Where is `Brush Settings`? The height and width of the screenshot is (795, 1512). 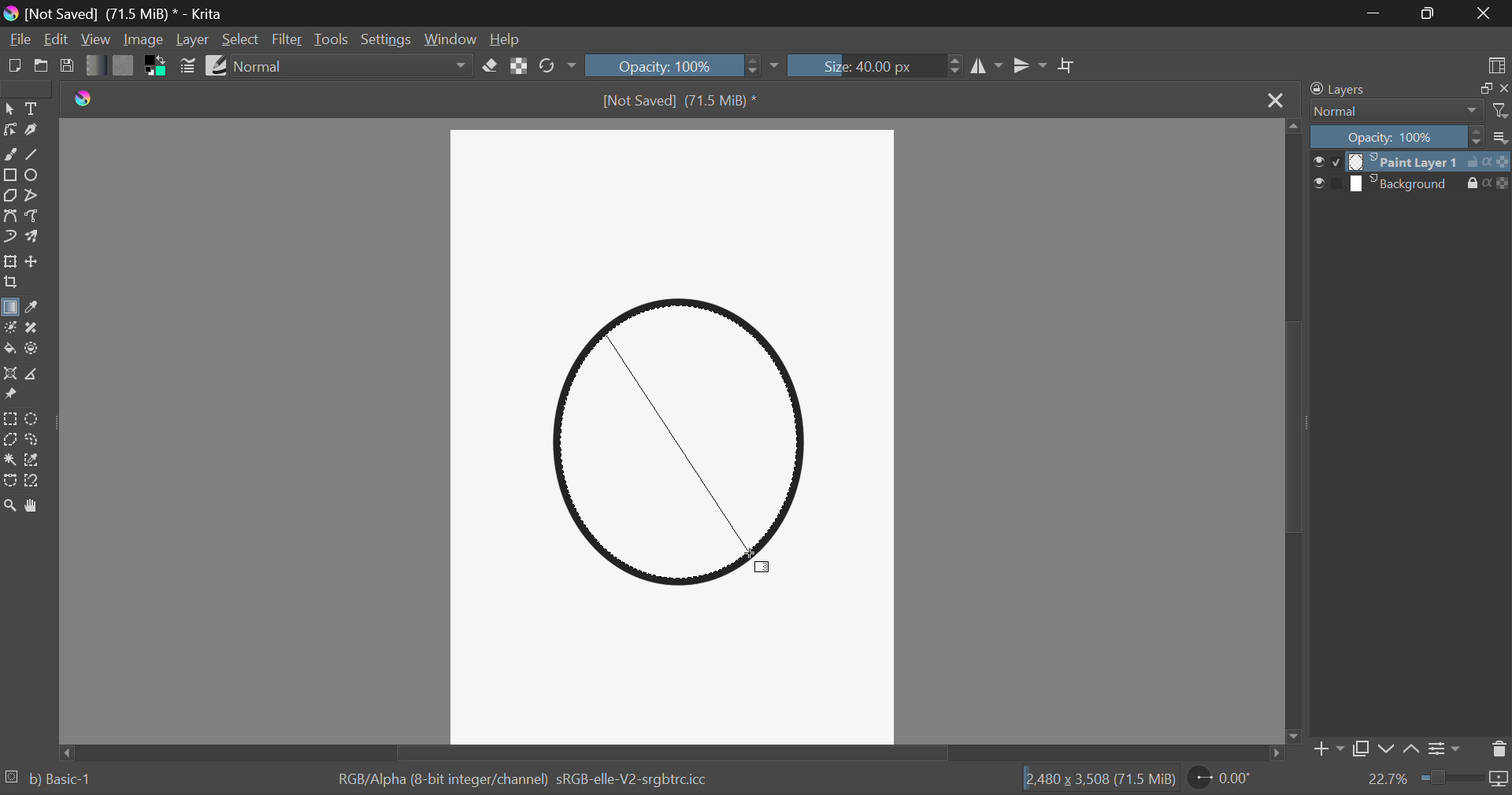 Brush Settings is located at coordinates (188, 67).